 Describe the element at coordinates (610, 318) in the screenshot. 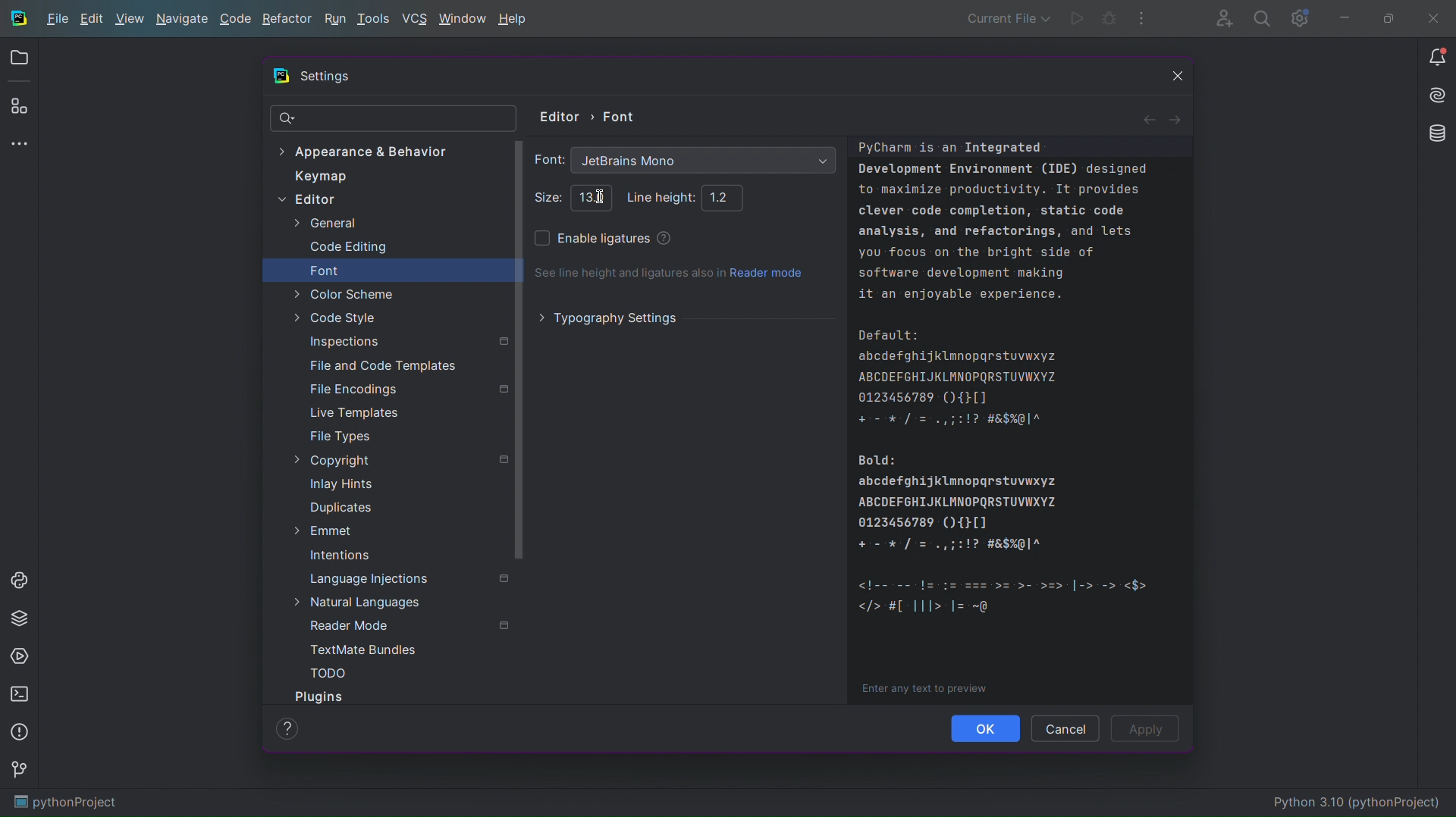

I see `Typography Settings` at that location.